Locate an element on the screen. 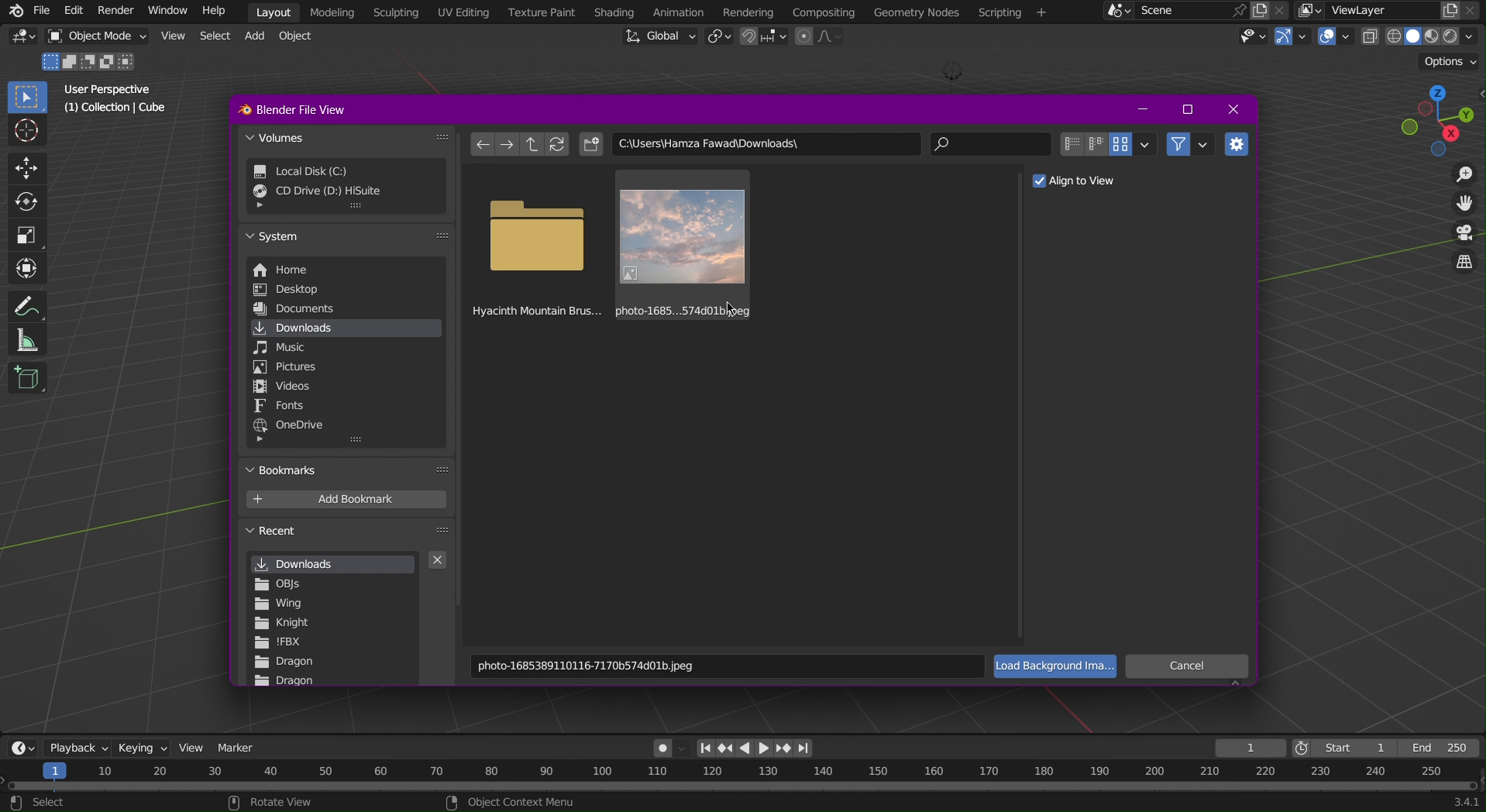  Minimize is located at coordinates (1141, 108).